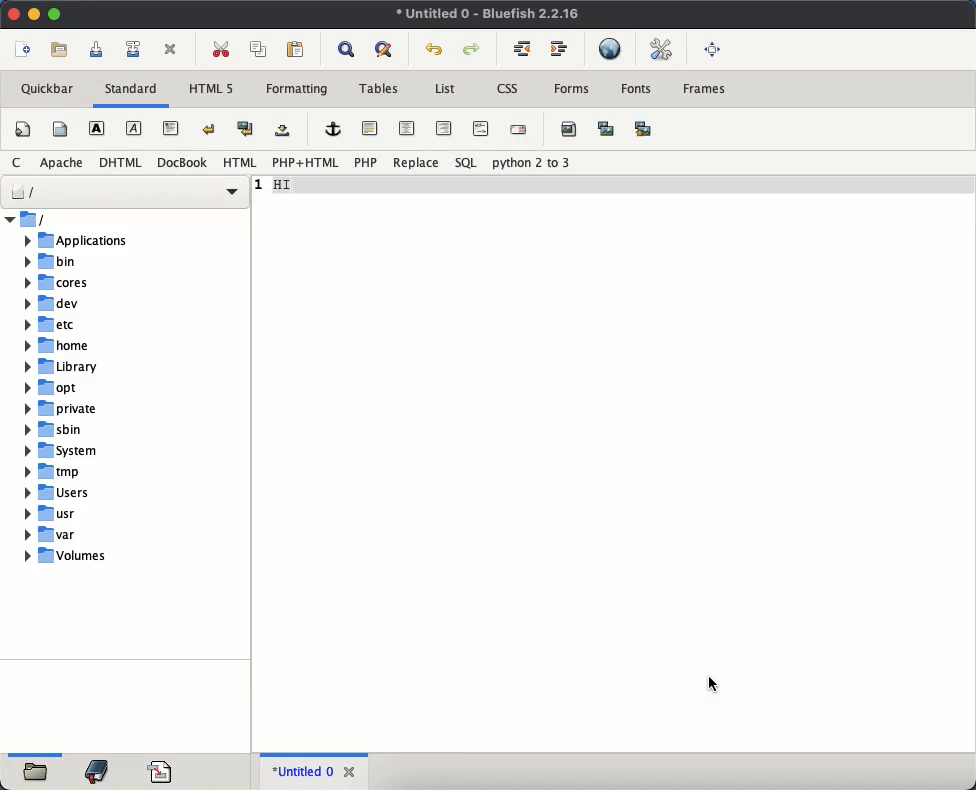 This screenshot has height=790, width=976. I want to click on private, so click(100, 409).